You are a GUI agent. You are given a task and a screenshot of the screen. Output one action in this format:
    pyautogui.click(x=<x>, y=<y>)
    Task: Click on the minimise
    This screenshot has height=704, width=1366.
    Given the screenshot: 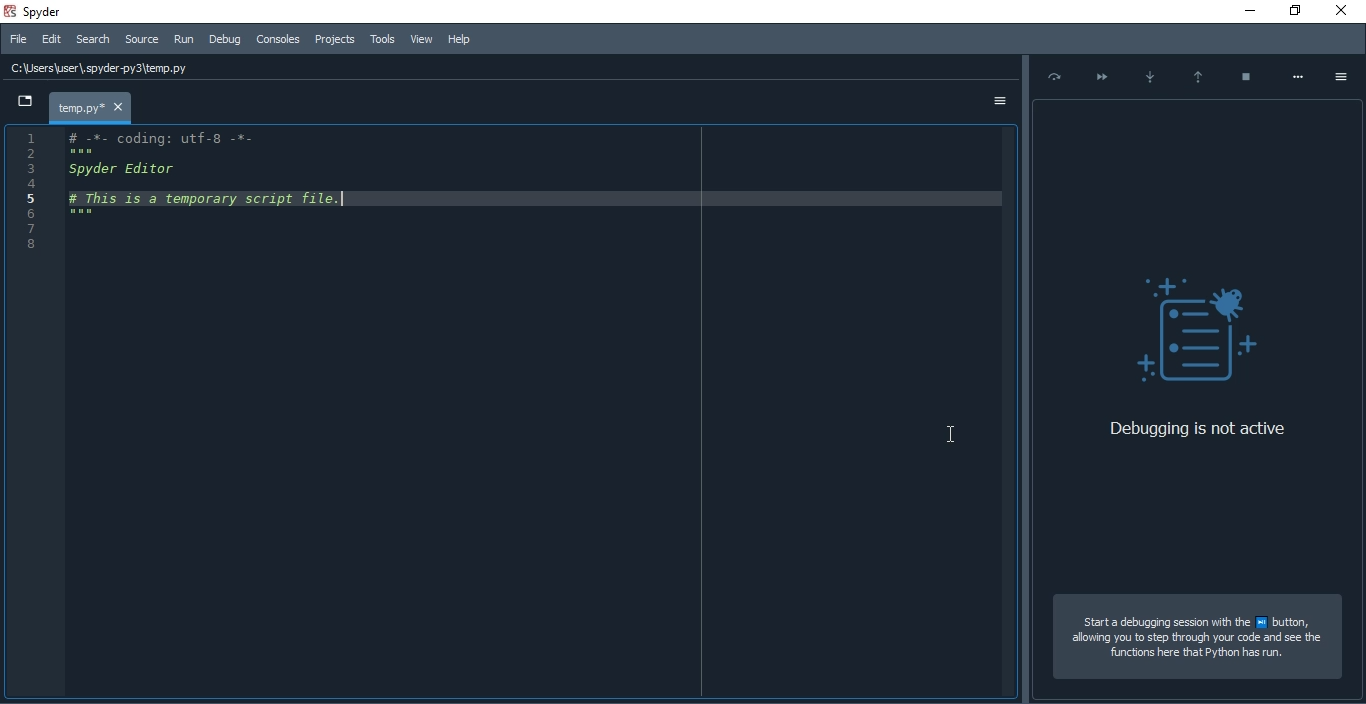 What is the action you would take?
    pyautogui.click(x=1247, y=11)
    